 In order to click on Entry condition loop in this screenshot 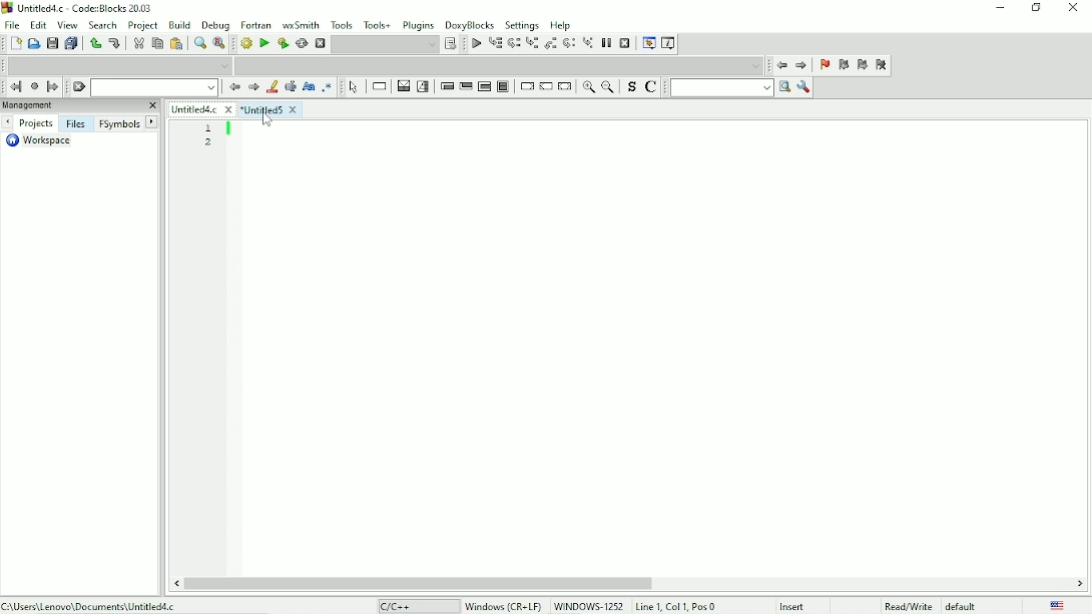, I will do `click(446, 88)`.